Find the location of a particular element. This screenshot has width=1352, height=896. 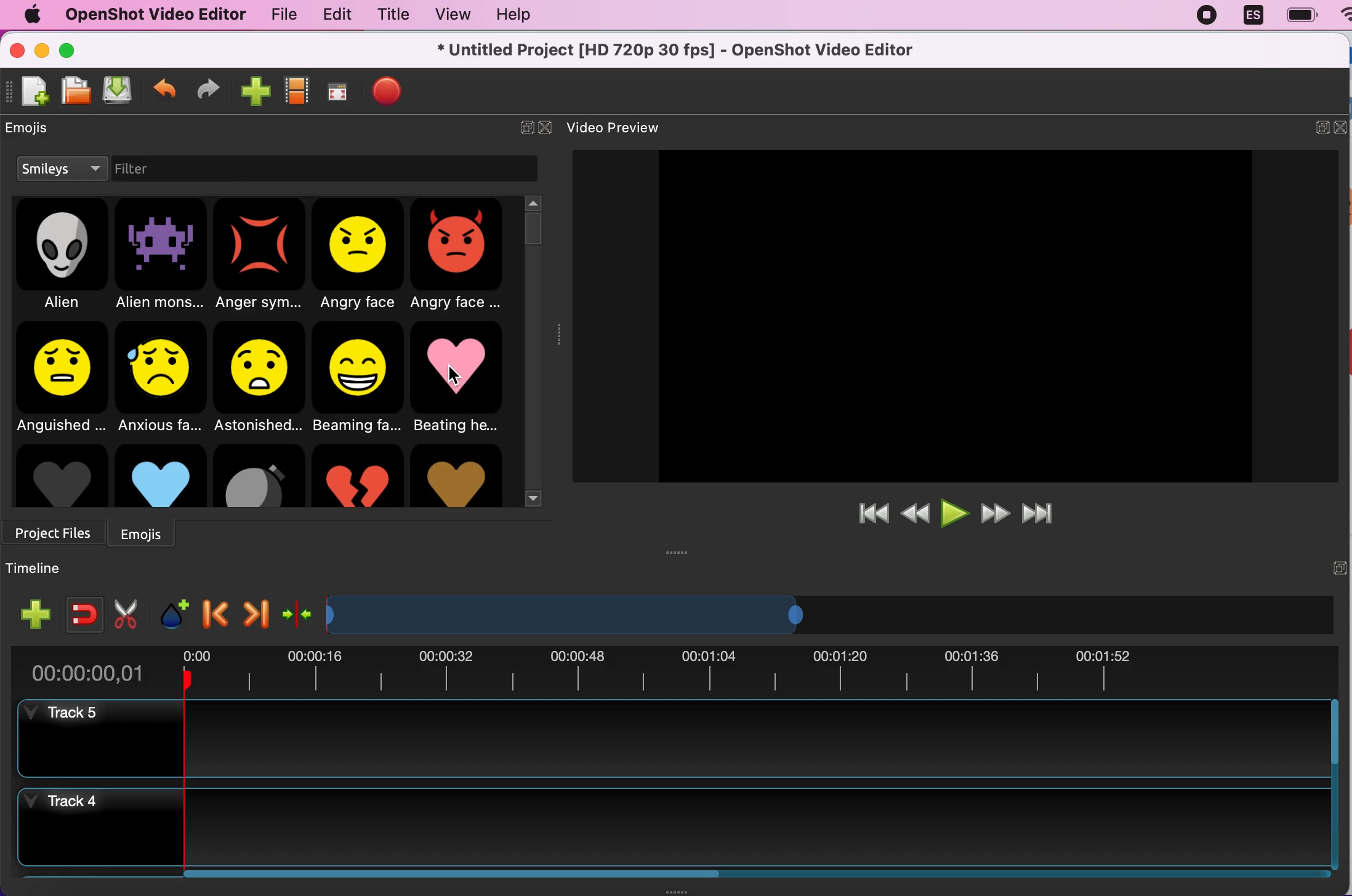

full screen is located at coordinates (337, 93).